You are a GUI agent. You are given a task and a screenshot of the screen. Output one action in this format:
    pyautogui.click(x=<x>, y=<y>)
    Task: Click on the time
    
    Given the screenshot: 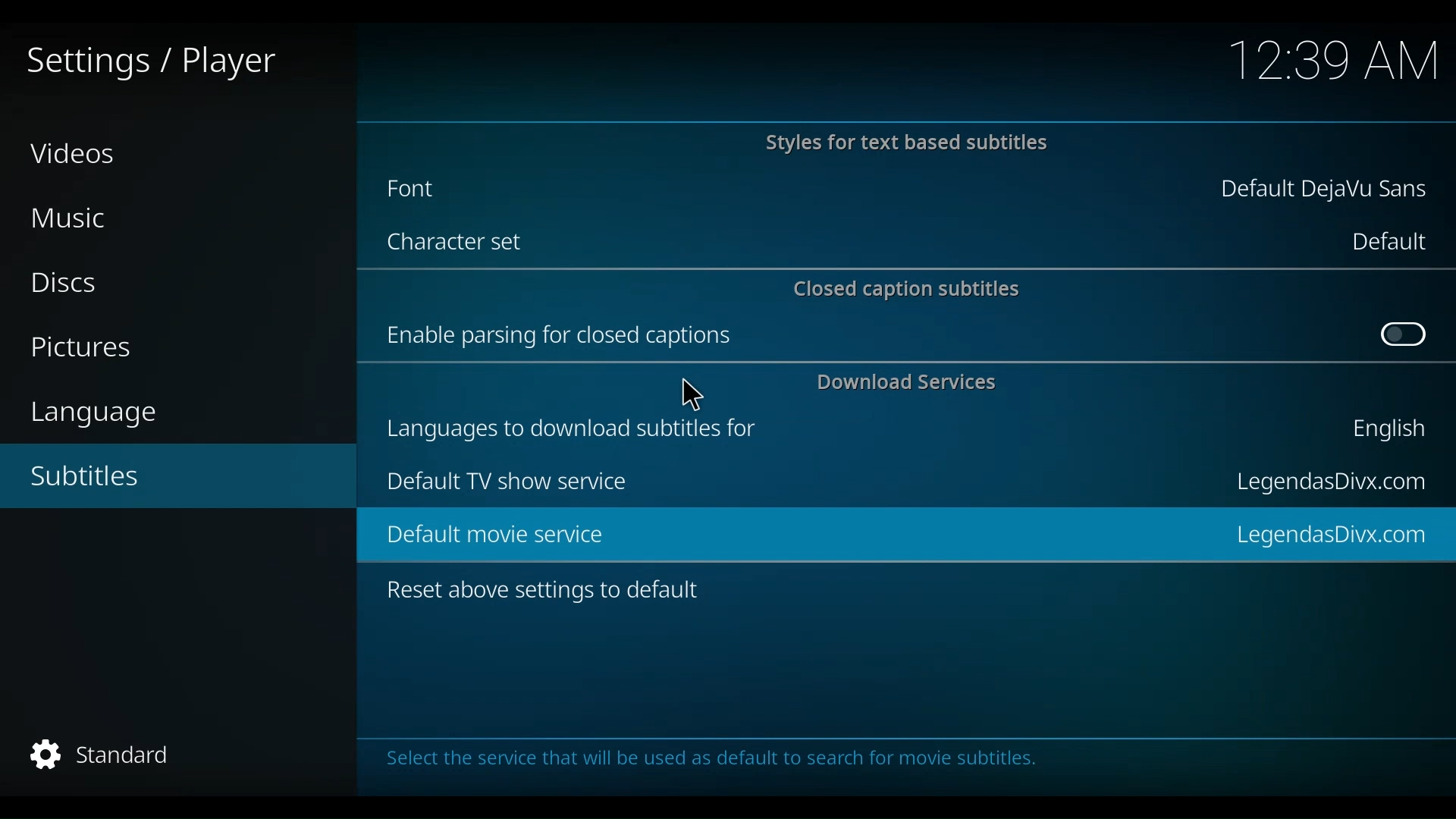 What is the action you would take?
    pyautogui.click(x=1335, y=62)
    